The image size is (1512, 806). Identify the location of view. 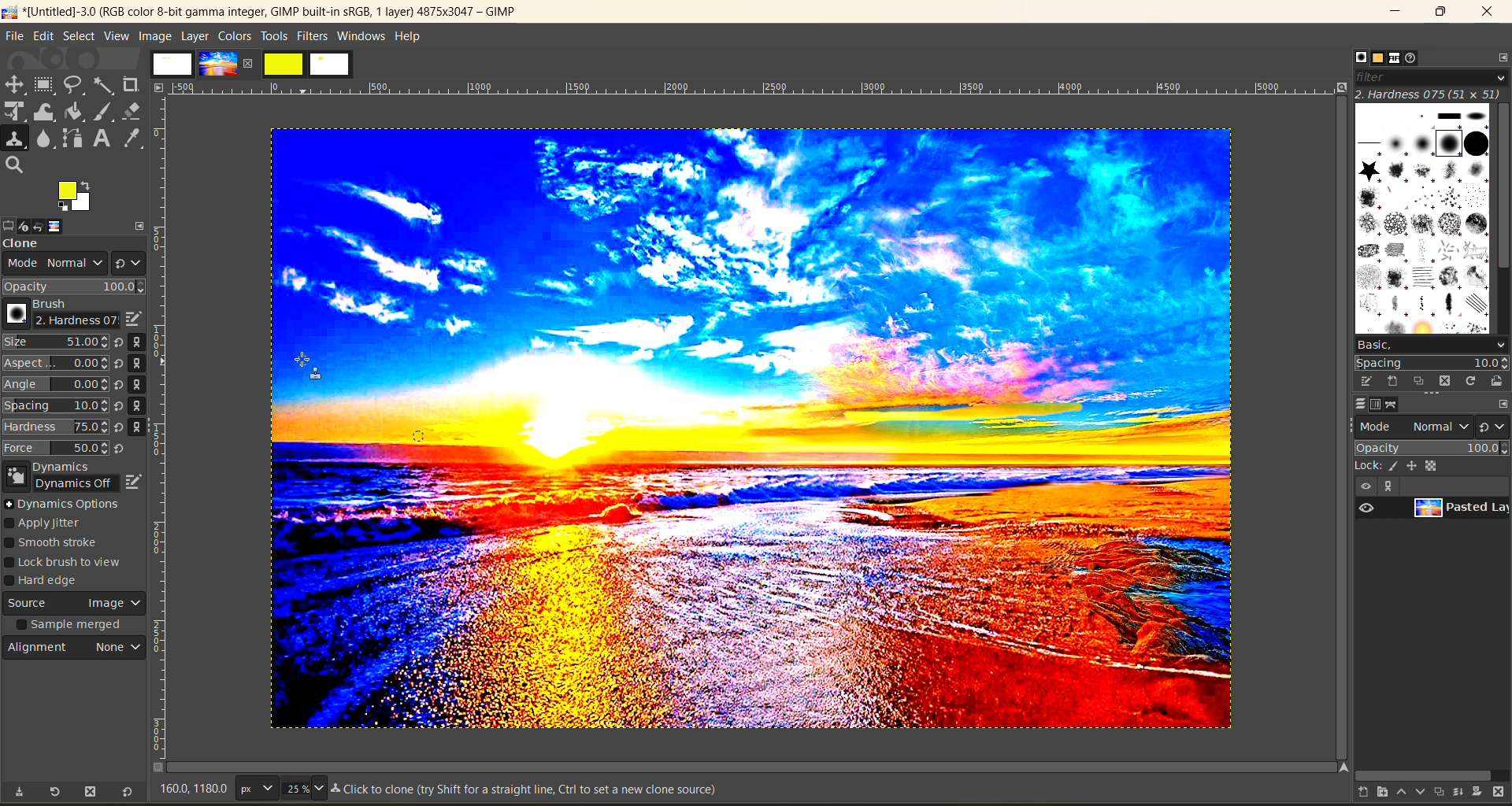
(1364, 486).